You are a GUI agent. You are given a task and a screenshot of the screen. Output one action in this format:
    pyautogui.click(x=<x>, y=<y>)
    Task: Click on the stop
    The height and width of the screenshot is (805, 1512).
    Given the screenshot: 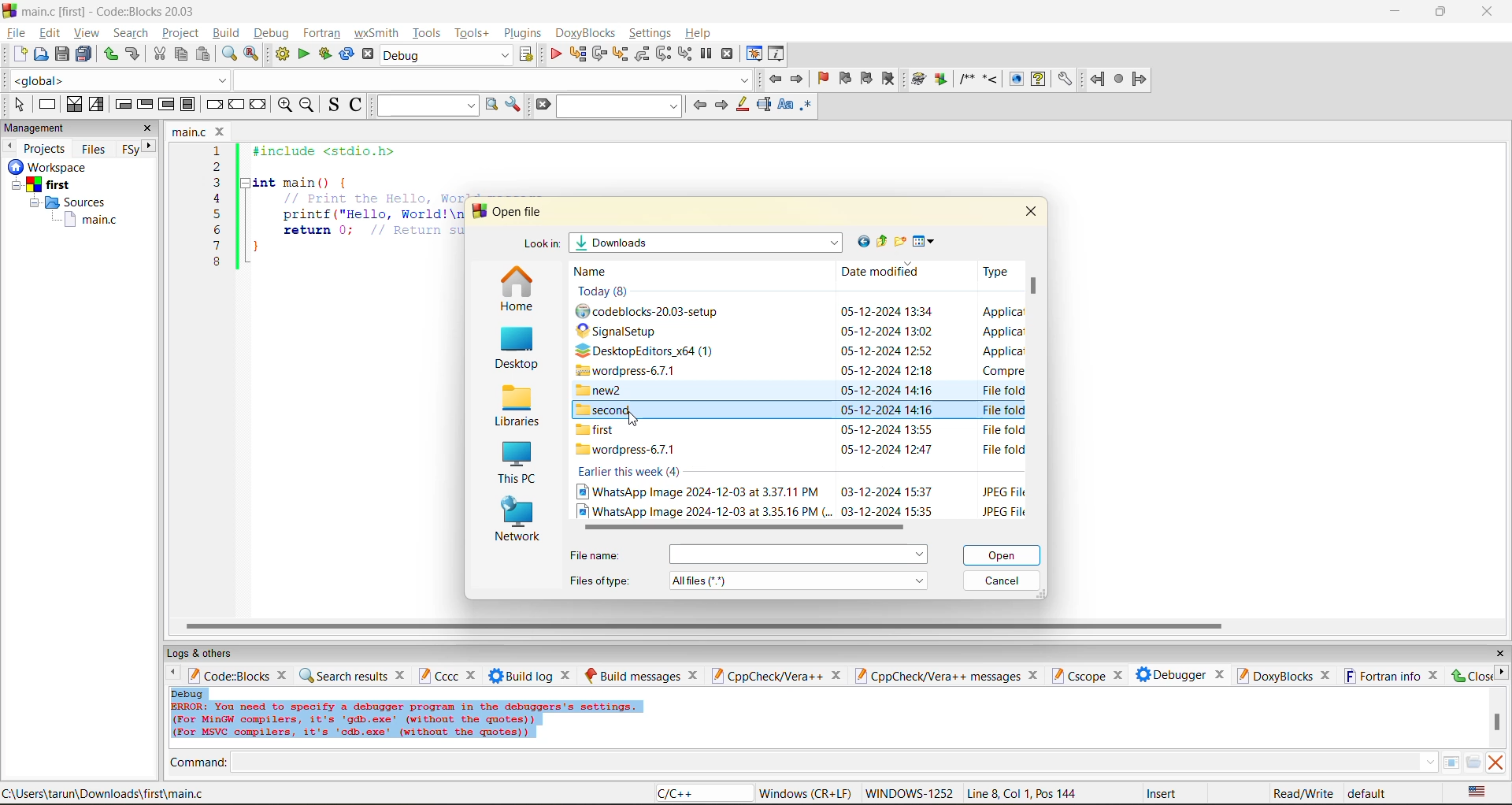 What is the action you would take?
    pyautogui.click(x=1120, y=80)
    